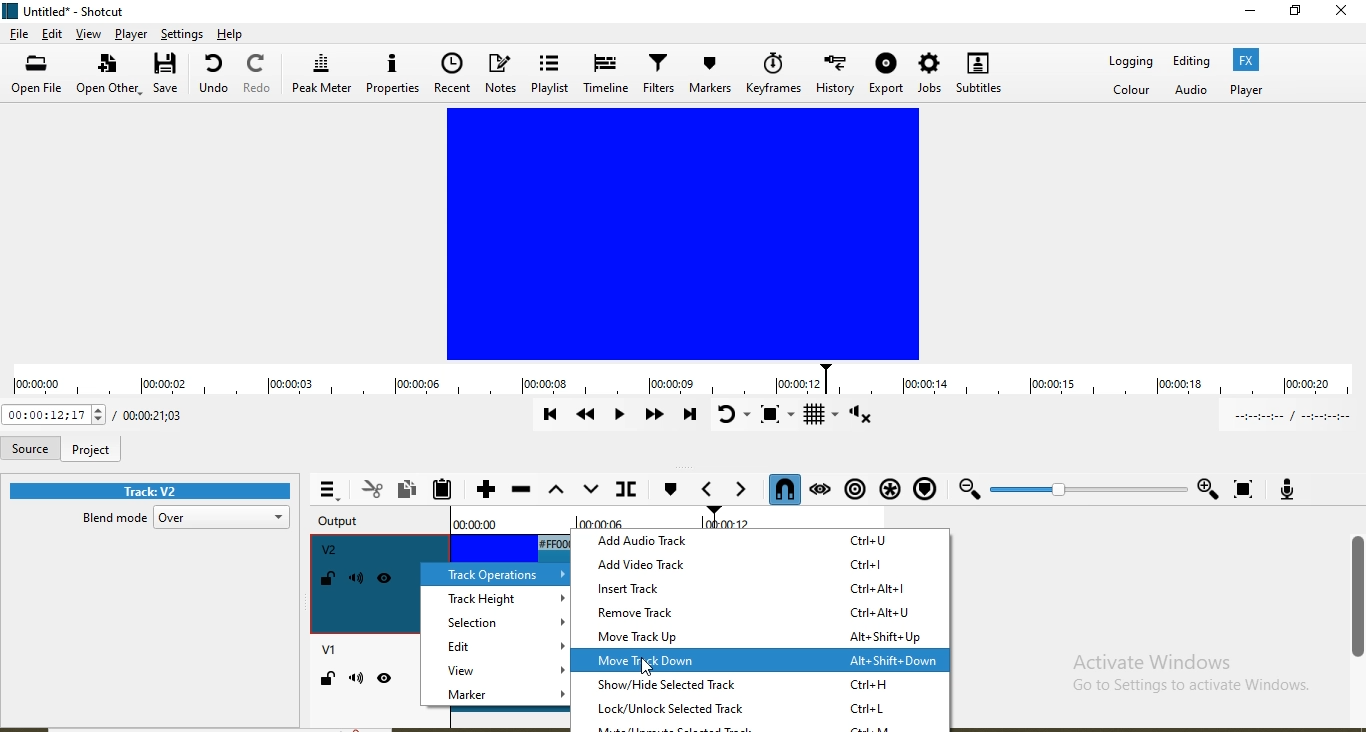 This screenshot has width=1366, height=732. What do you see at coordinates (1086, 489) in the screenshot?
I see `Zoom slider` at bounding box center [1086, 489].